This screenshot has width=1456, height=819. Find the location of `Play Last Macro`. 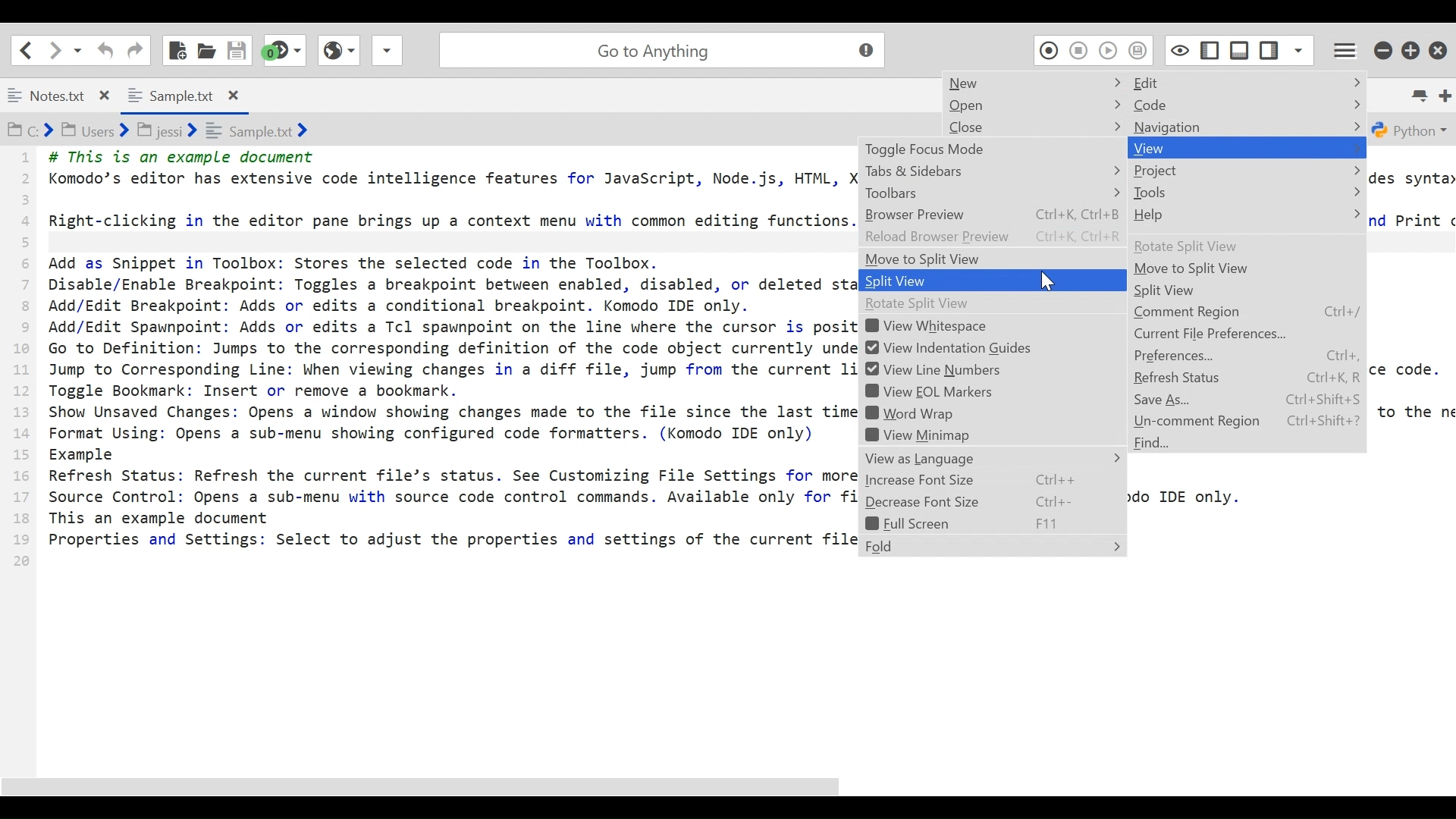

Play Last Macro is located at coordinates (1109, 50).